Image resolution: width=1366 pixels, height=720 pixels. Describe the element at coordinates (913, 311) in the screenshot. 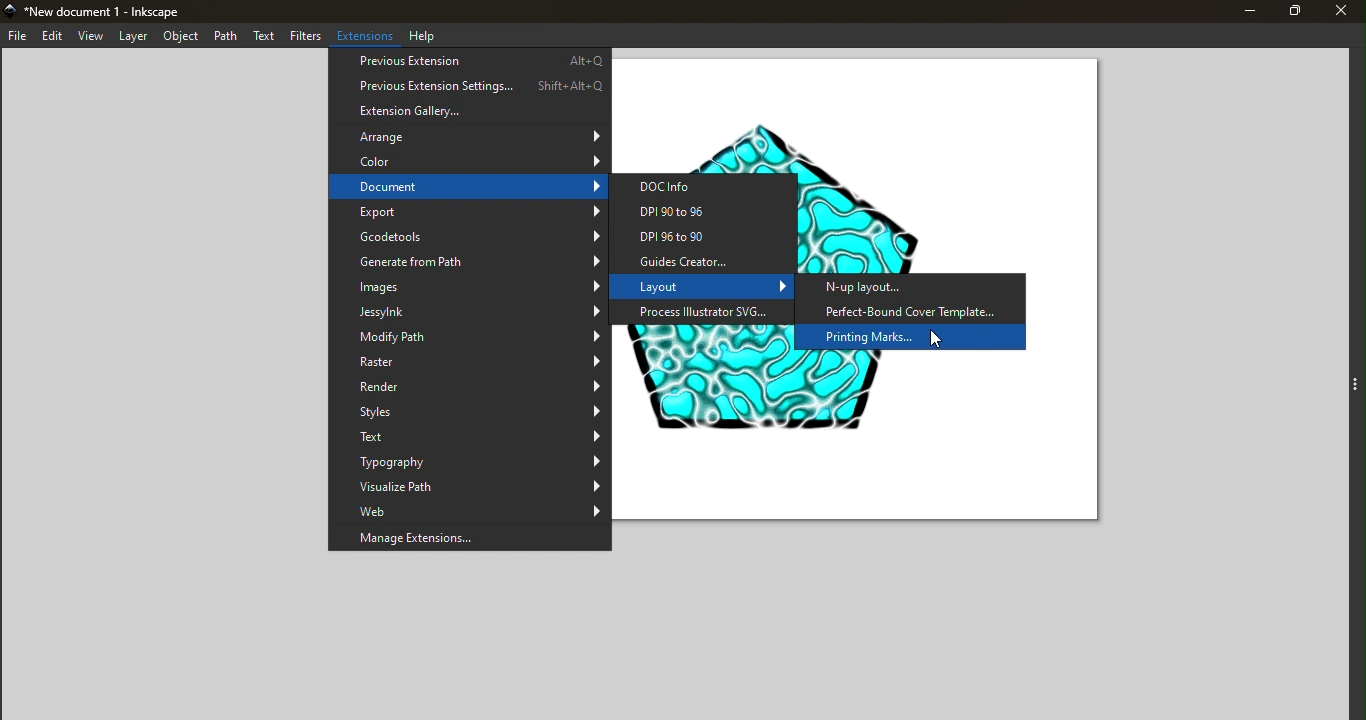

I see `Perfect-Bound Cover Template...` at that location.